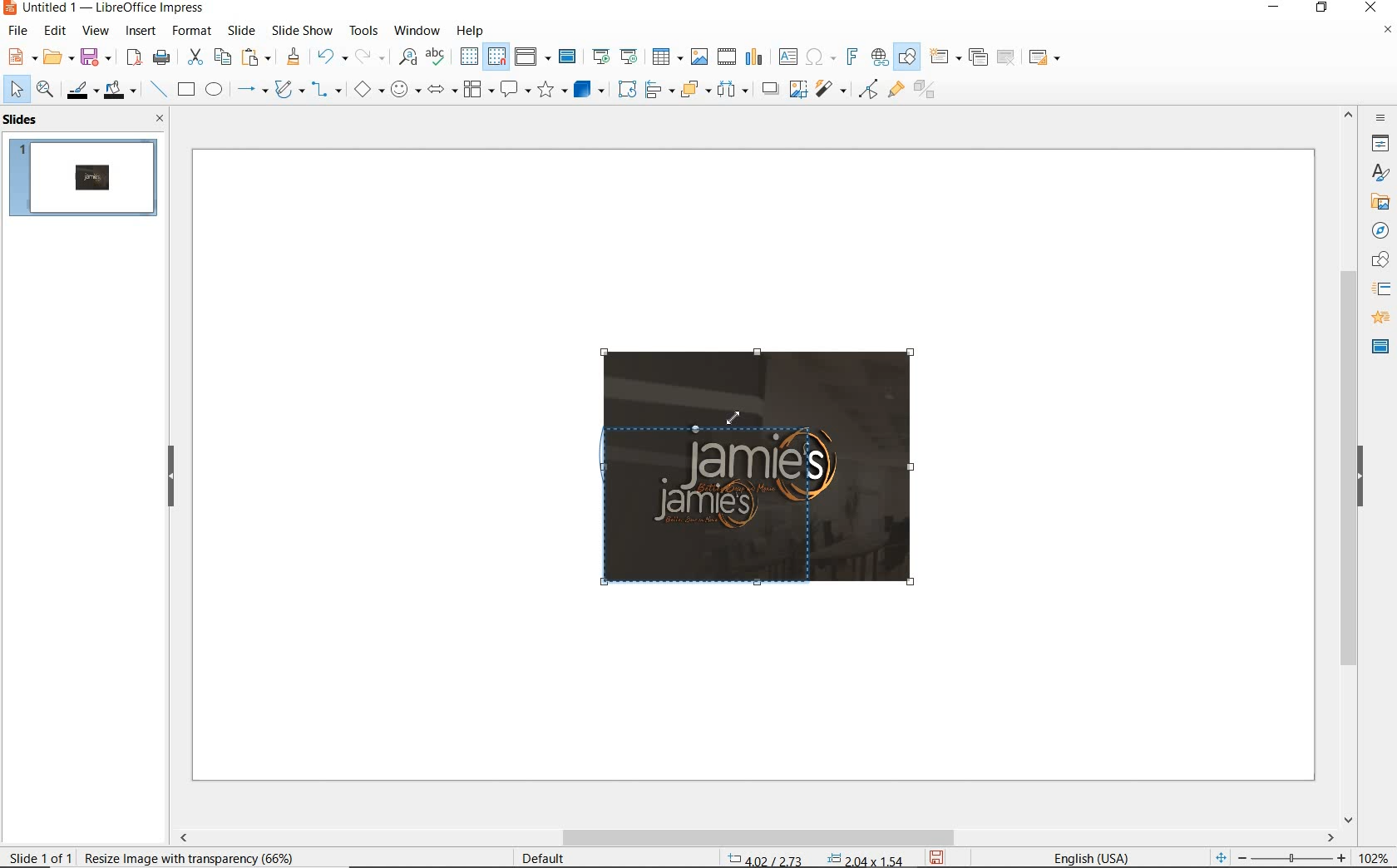 Image resolution: width=1397 pixels, height=868 pixels. What do you see at coordinates (1380, 174) in the screenshot?
I see `styles` at bounding box center [1380, 174].